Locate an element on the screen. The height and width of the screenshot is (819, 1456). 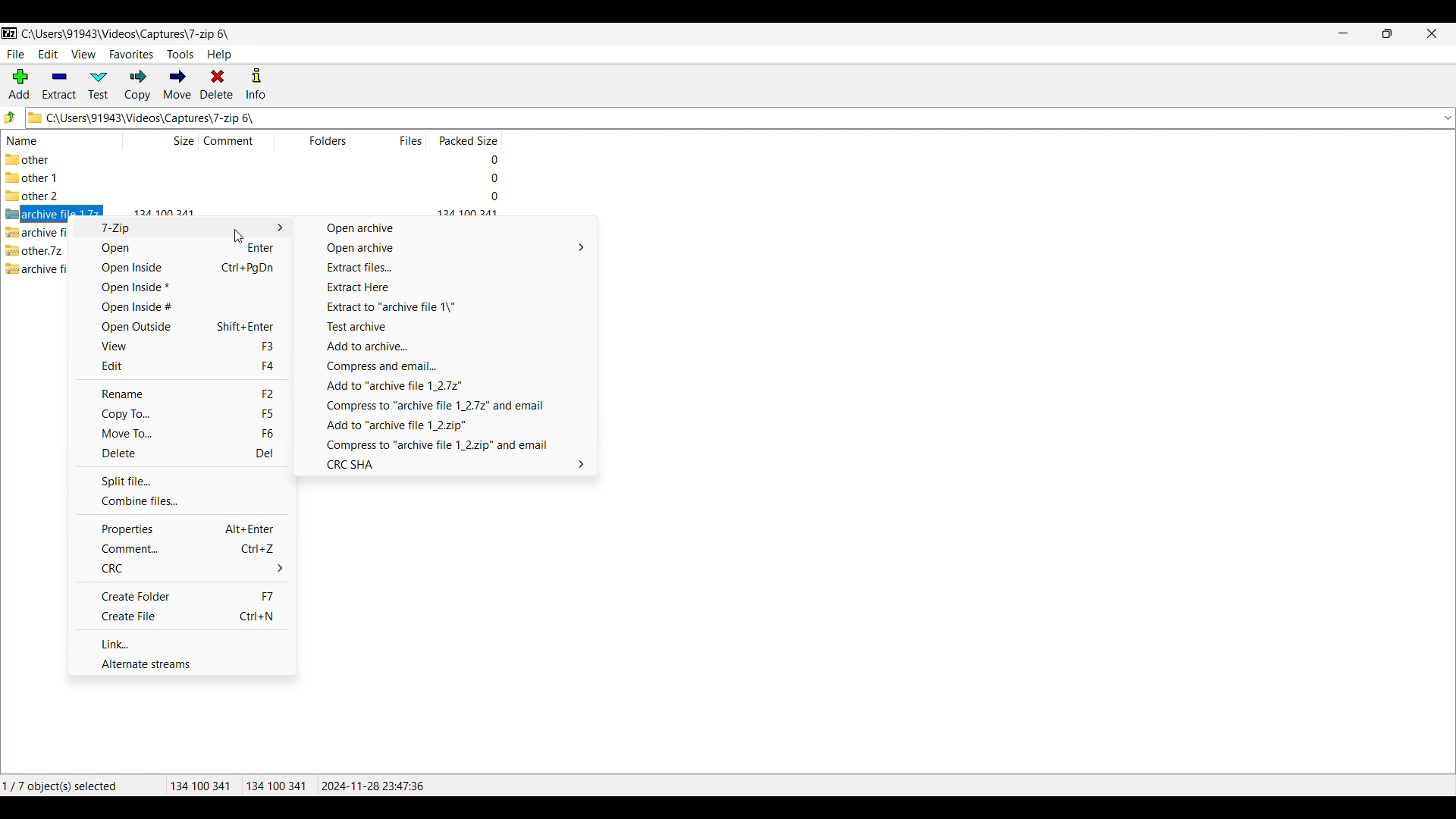
Files is located at coordinates (412, 140).